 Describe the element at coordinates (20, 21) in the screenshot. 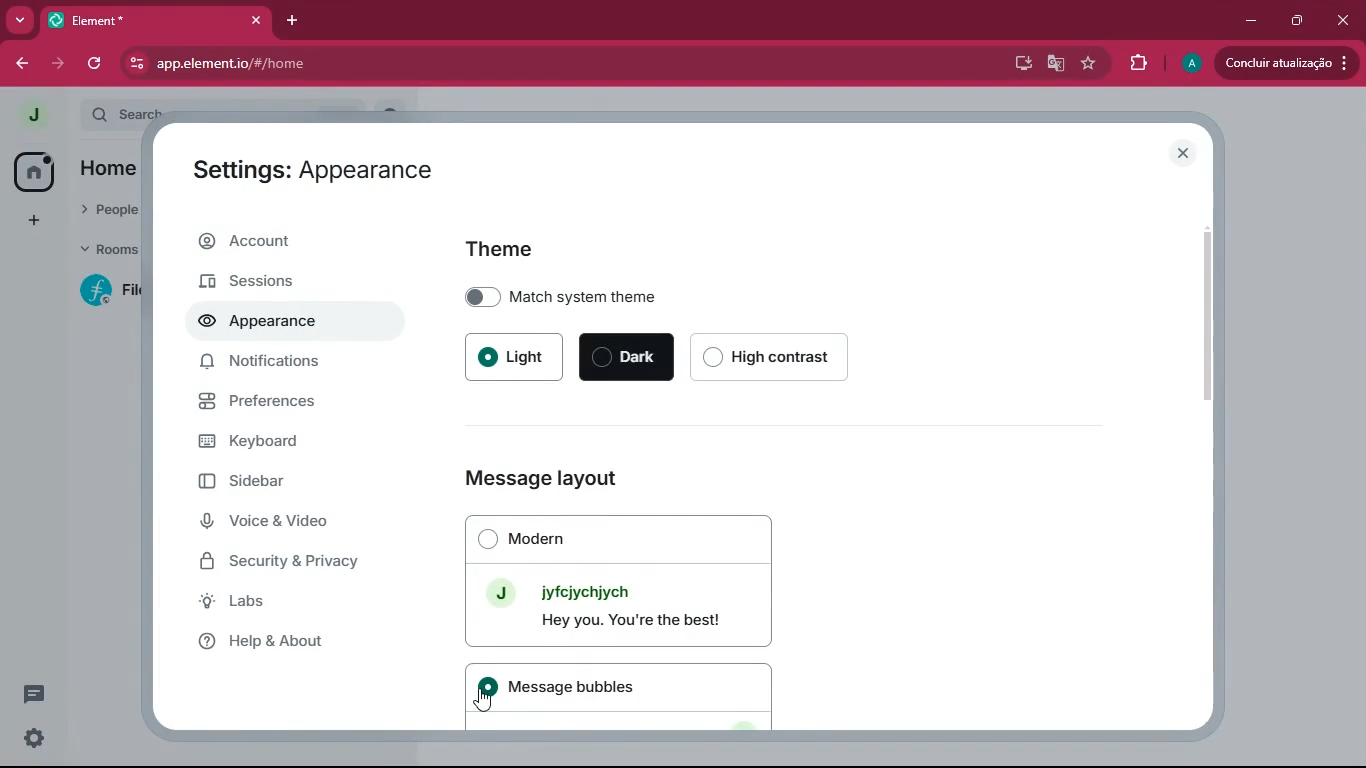

I see `more` at that location.